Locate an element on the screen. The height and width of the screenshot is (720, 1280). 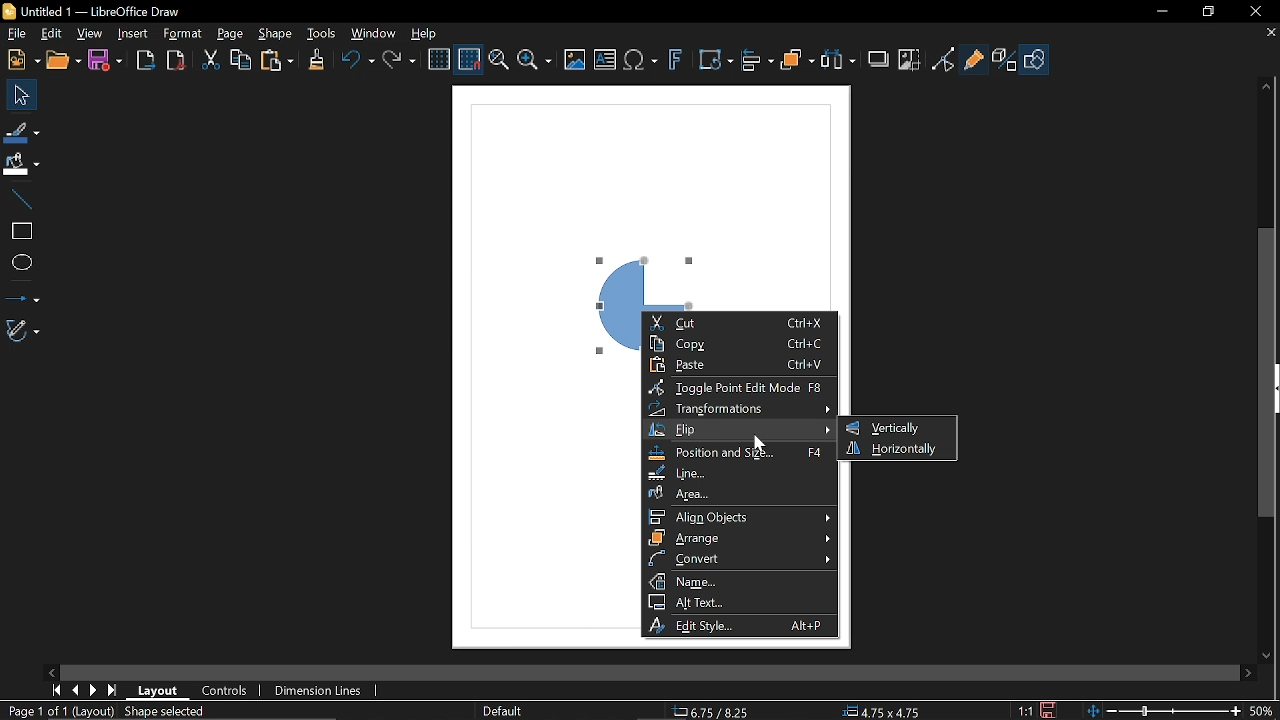
Fill color is located at coordinates (21, 164).